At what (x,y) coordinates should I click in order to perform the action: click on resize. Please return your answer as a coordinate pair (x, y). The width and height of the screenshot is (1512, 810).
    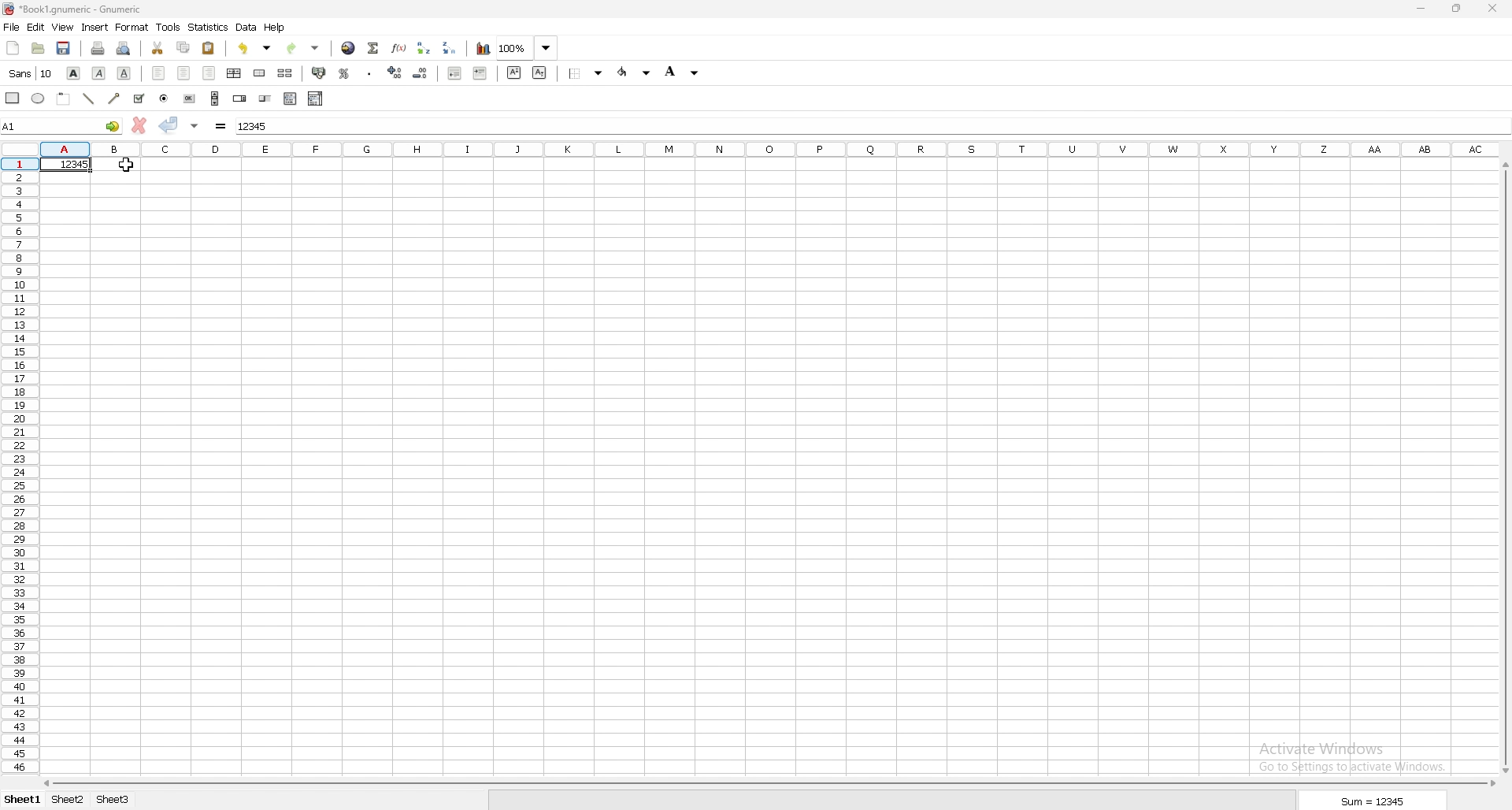
    Looking at the image, I should click on (1458, 7).